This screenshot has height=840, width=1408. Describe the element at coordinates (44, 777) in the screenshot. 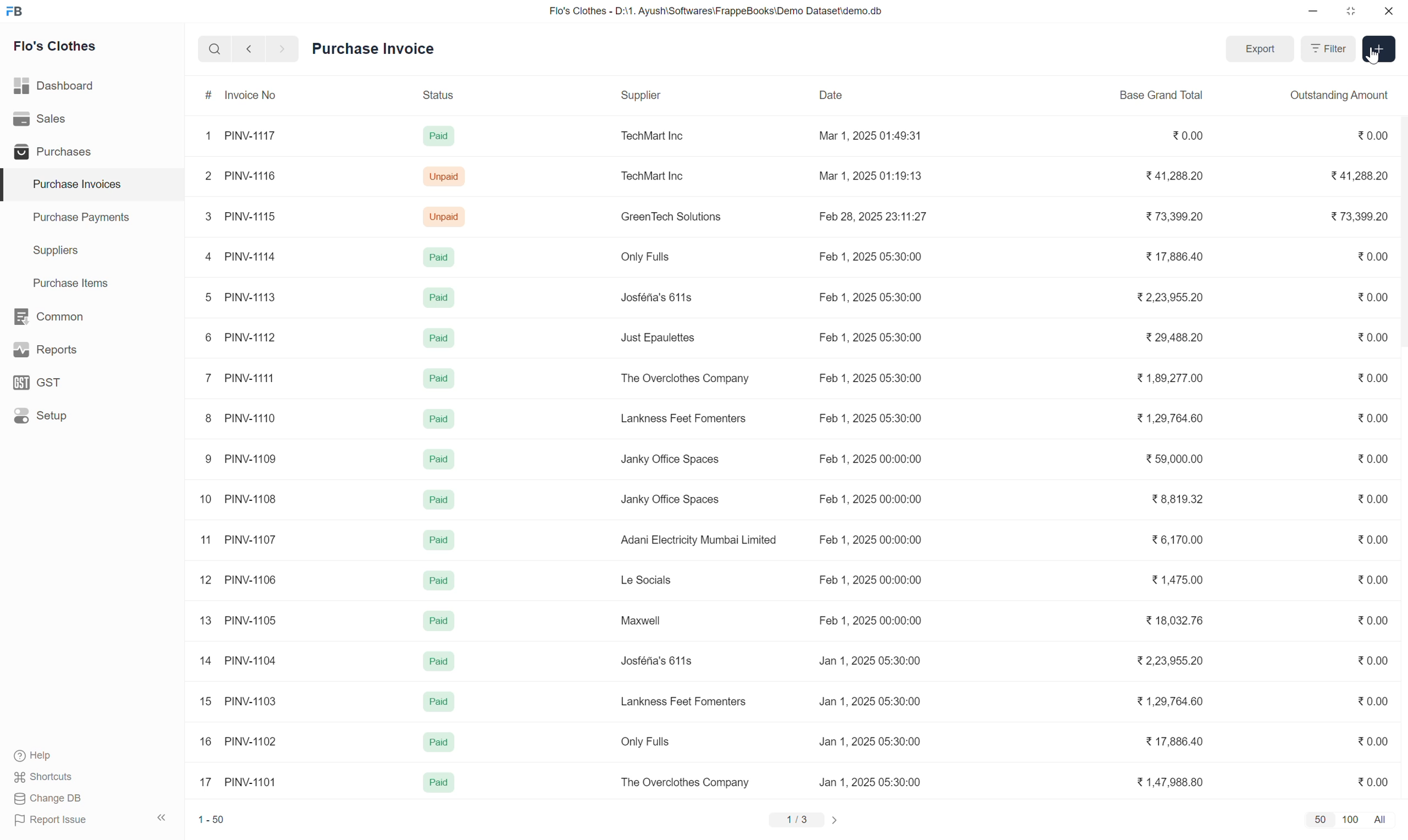

I see `Shortcuts` at that location.